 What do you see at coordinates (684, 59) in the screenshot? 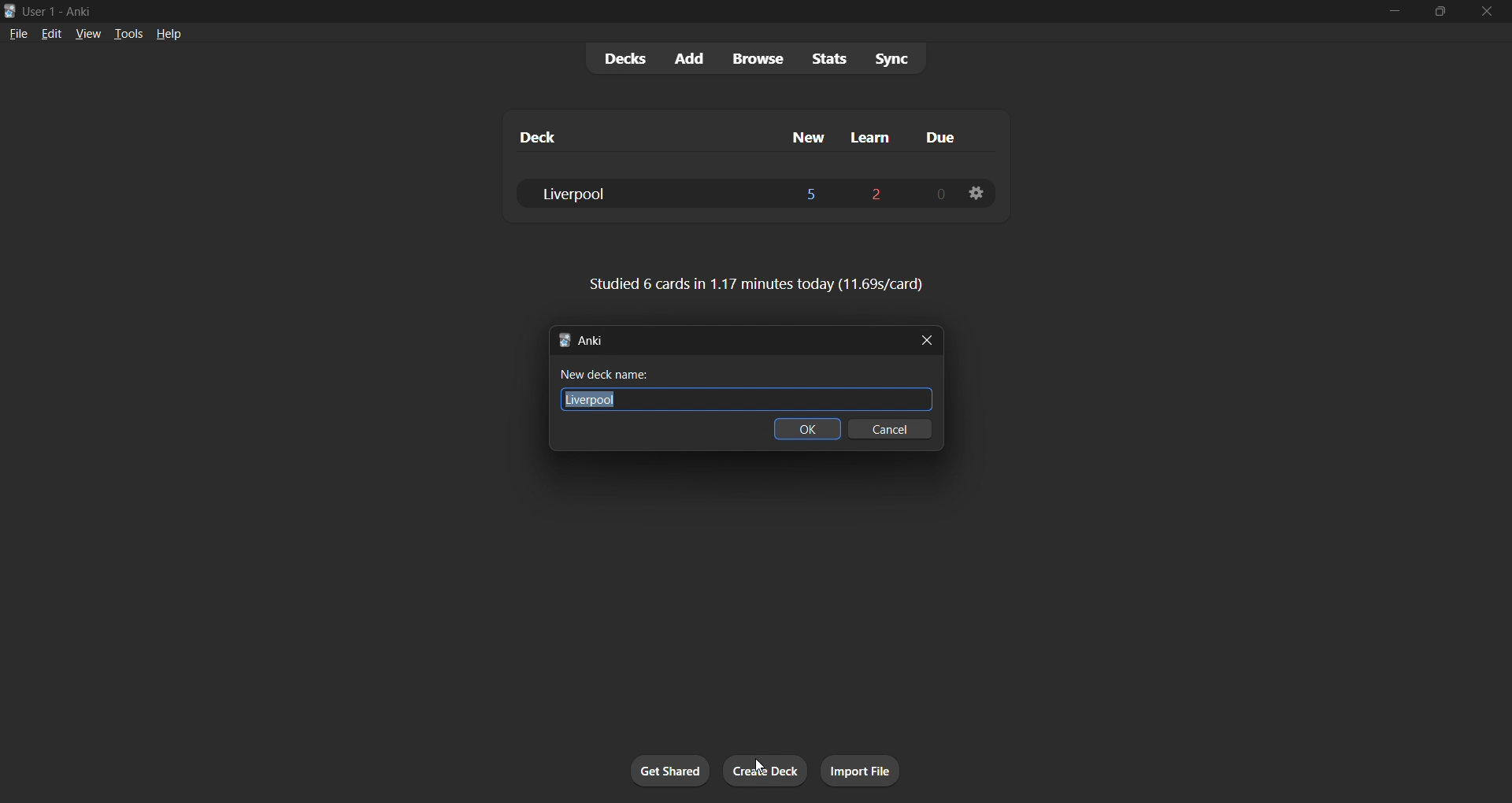
I see `add` at bounding box center [684, 59].